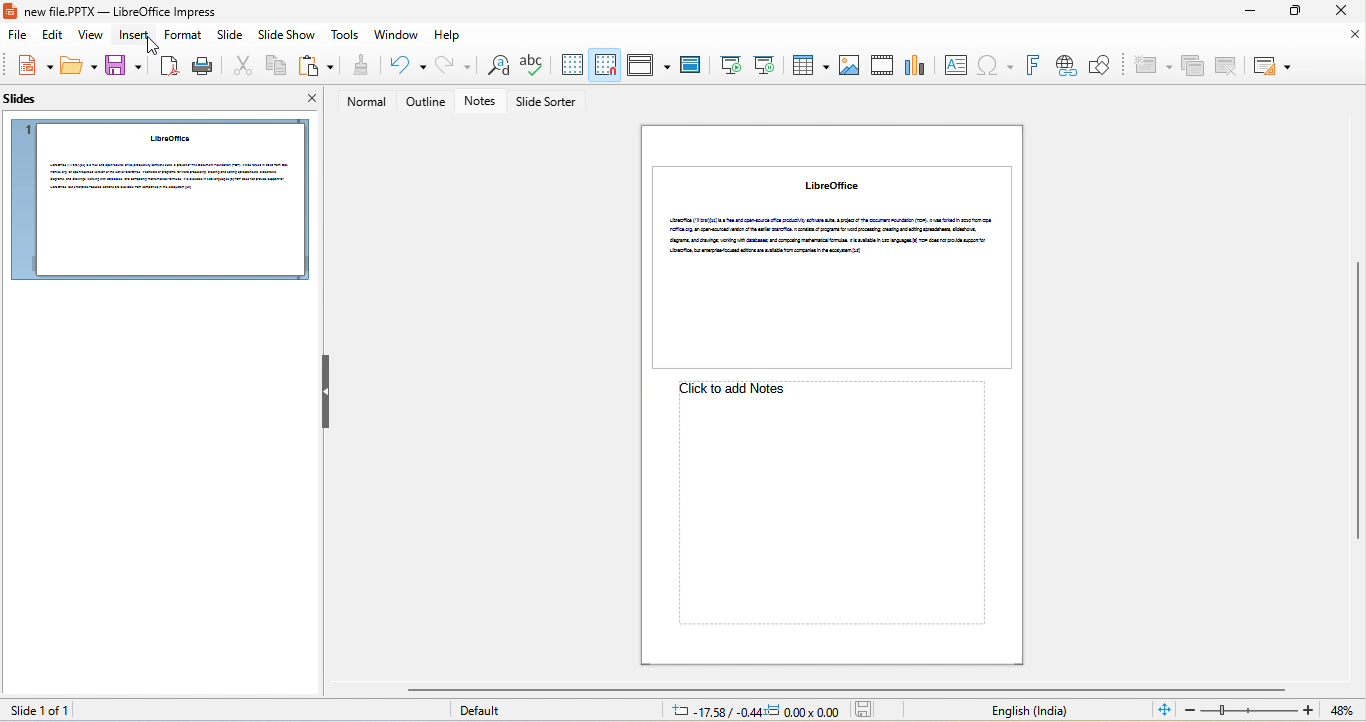  Describe the element at coordinates (273, 67) in the screenshot. I see `copy` at that location.